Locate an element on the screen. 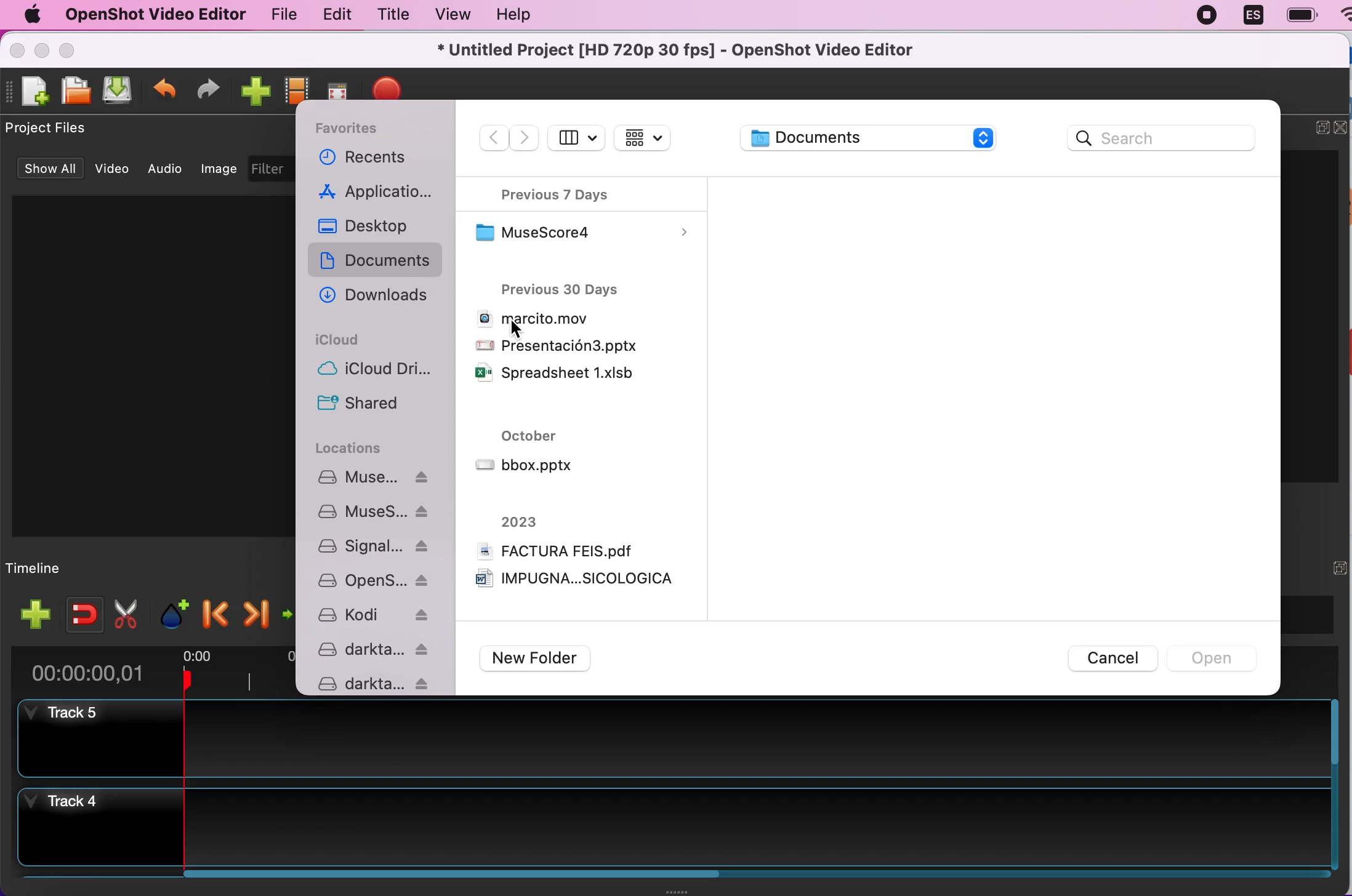 The image size is (1352, 896). documents is located at coordinates (378, 260).